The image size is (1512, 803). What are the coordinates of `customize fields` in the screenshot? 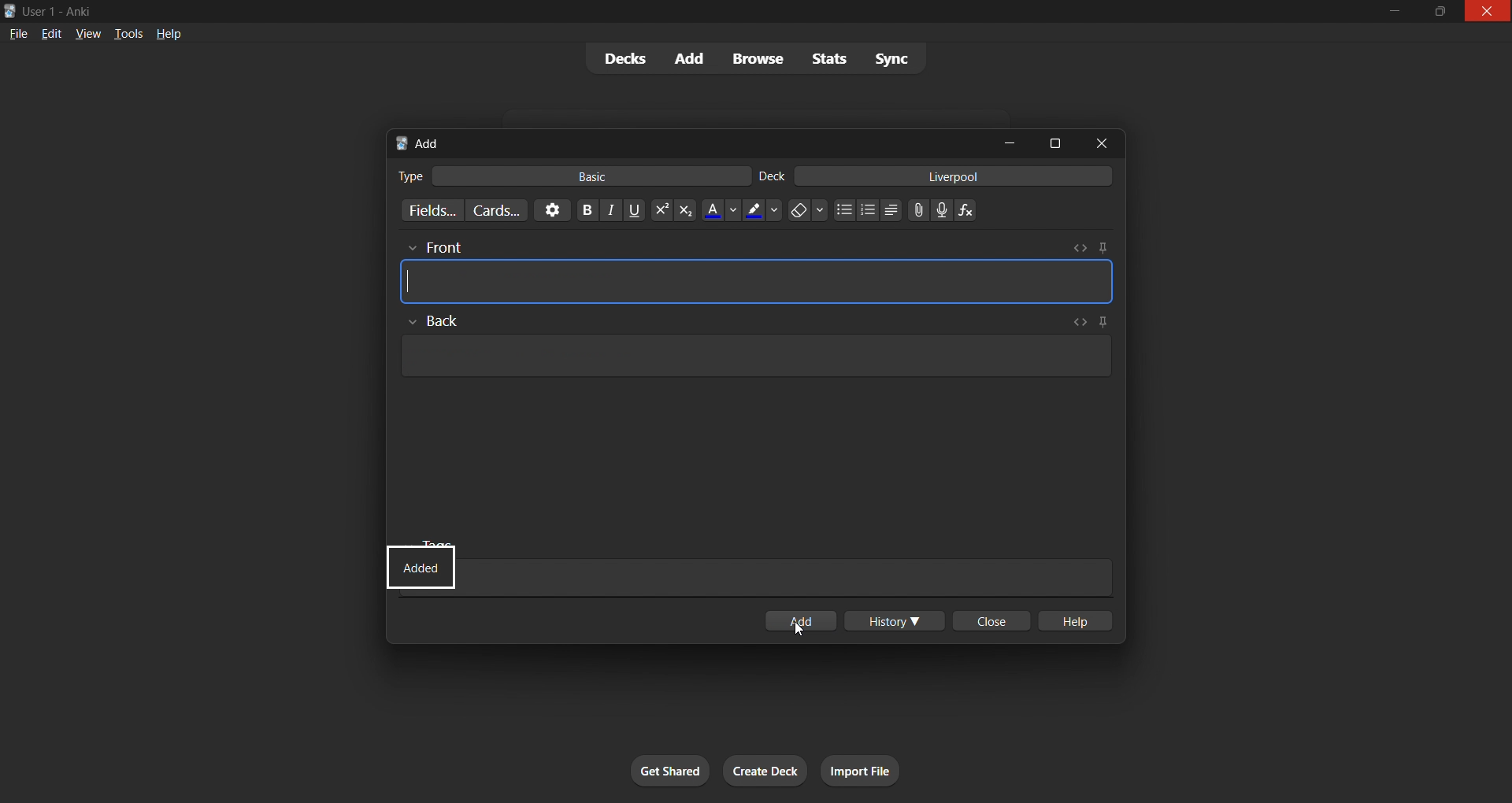 It's located at (427, 211).